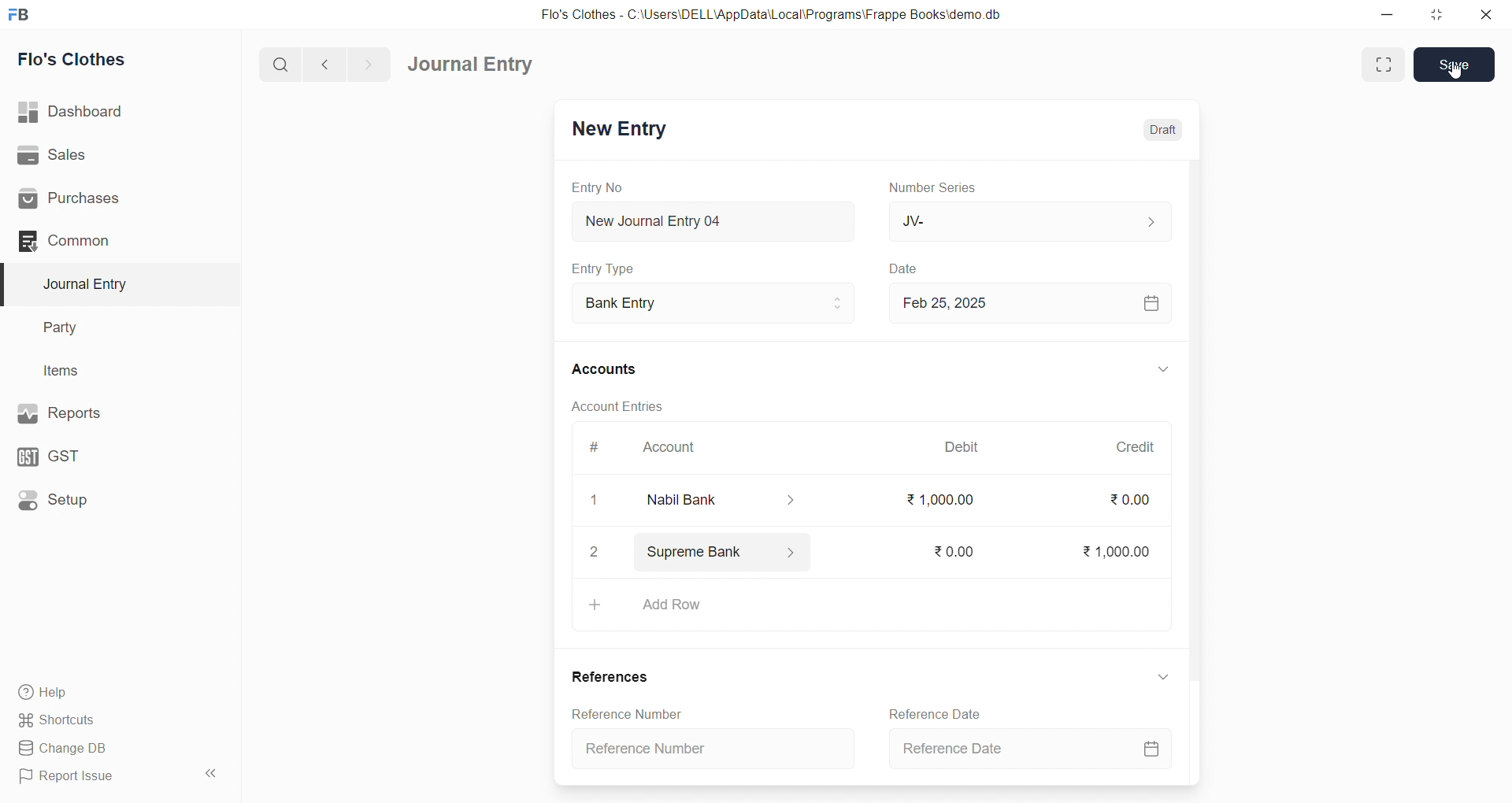 This screenshot has height=803, width=1512. Describe the element at coordinates (1455, 63) in the screenshot. I see `Save` at that location.